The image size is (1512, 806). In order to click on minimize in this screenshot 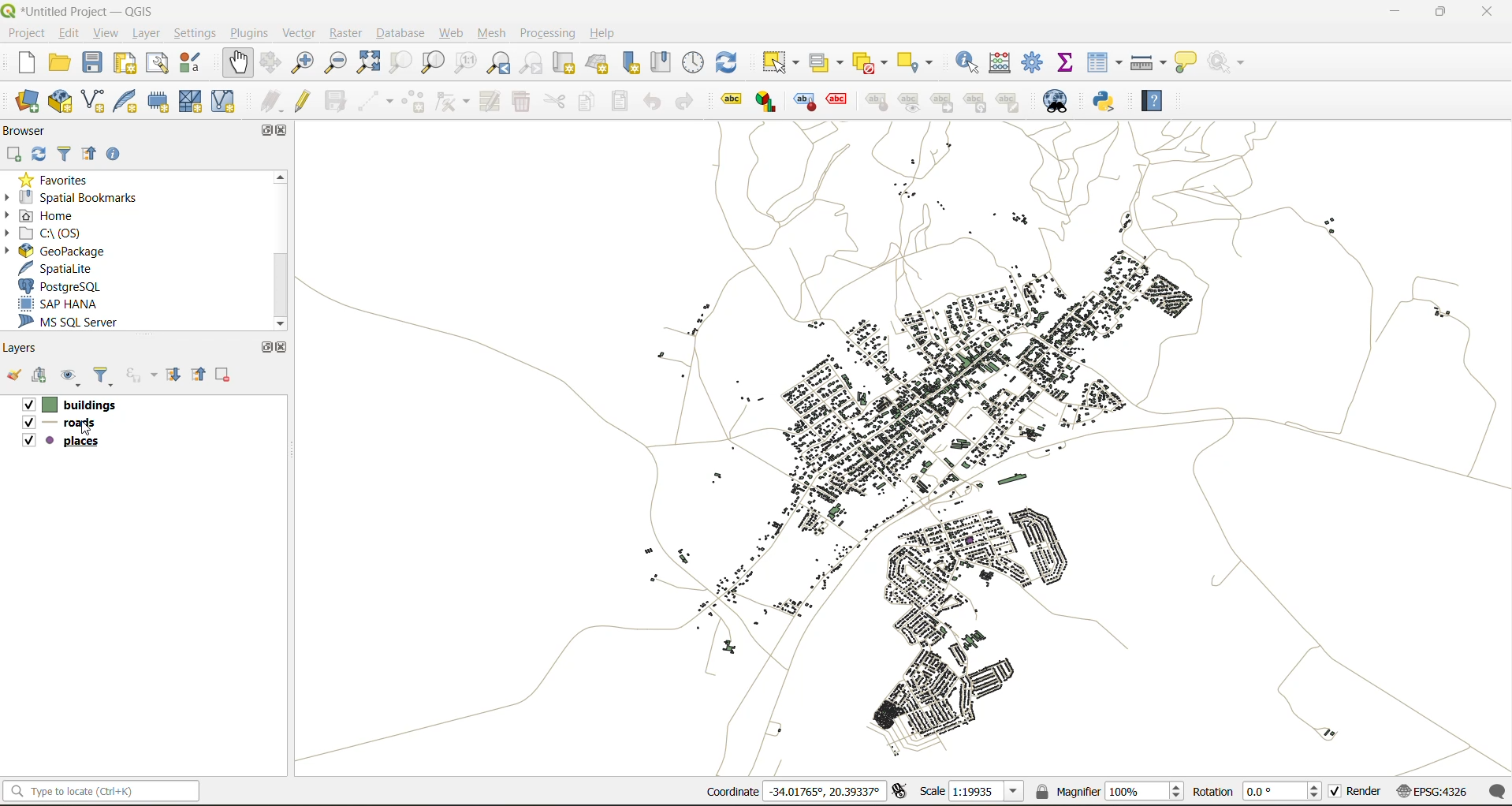, I will do `click(1394, 12)`.